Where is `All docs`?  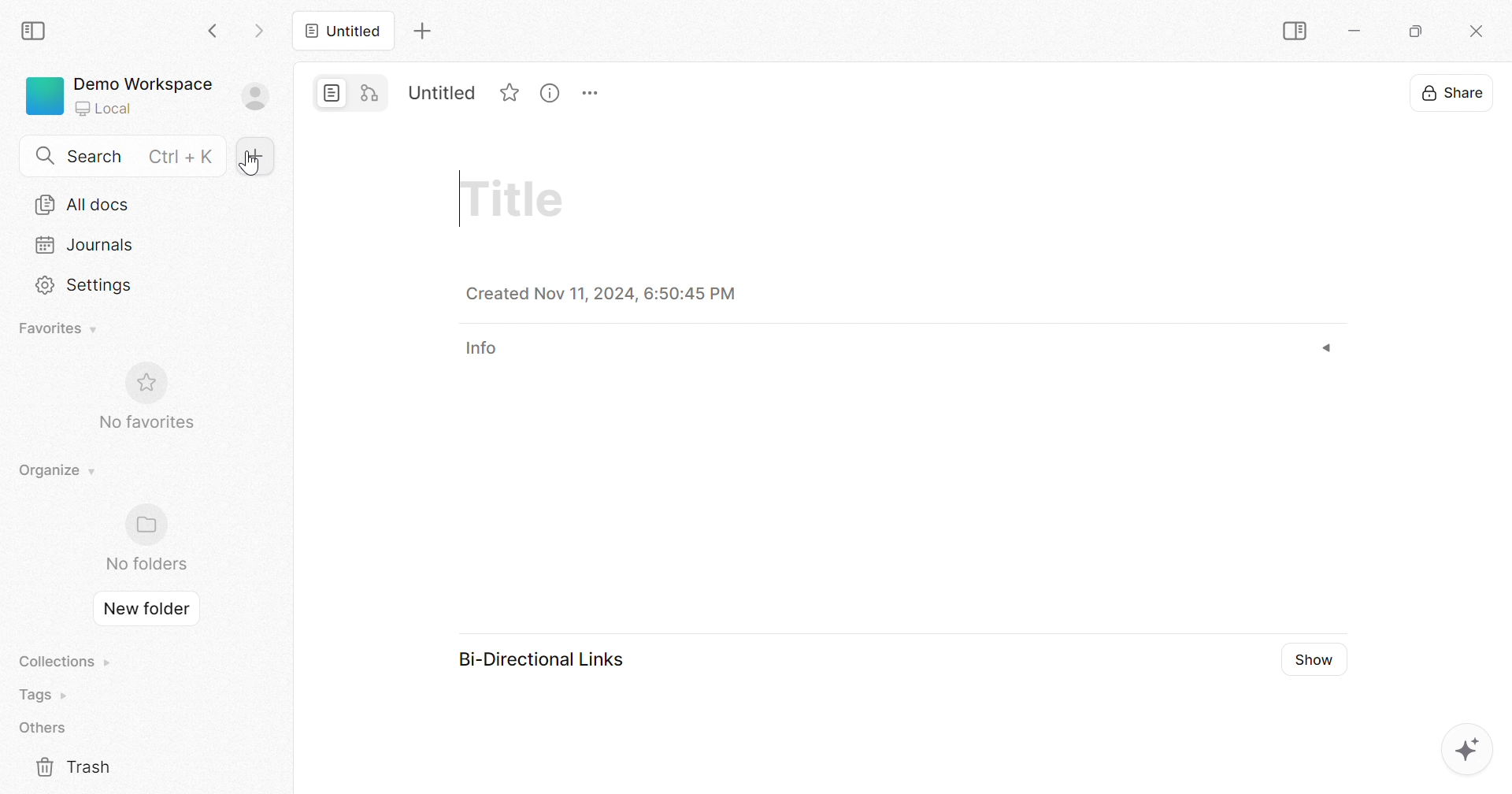 All docs is located at coordinates (83, 205).